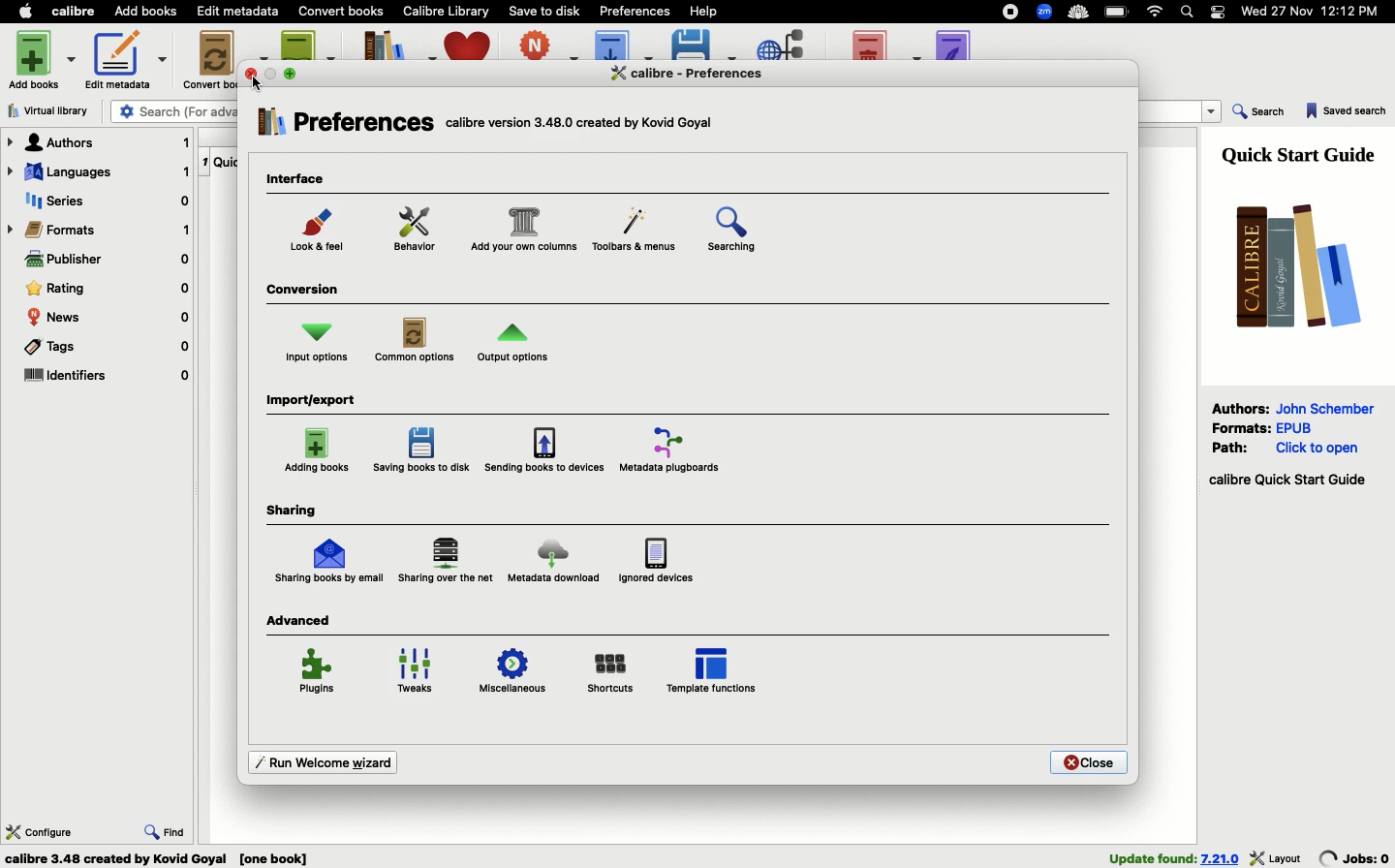  I want to click on text, so click(602, 120).